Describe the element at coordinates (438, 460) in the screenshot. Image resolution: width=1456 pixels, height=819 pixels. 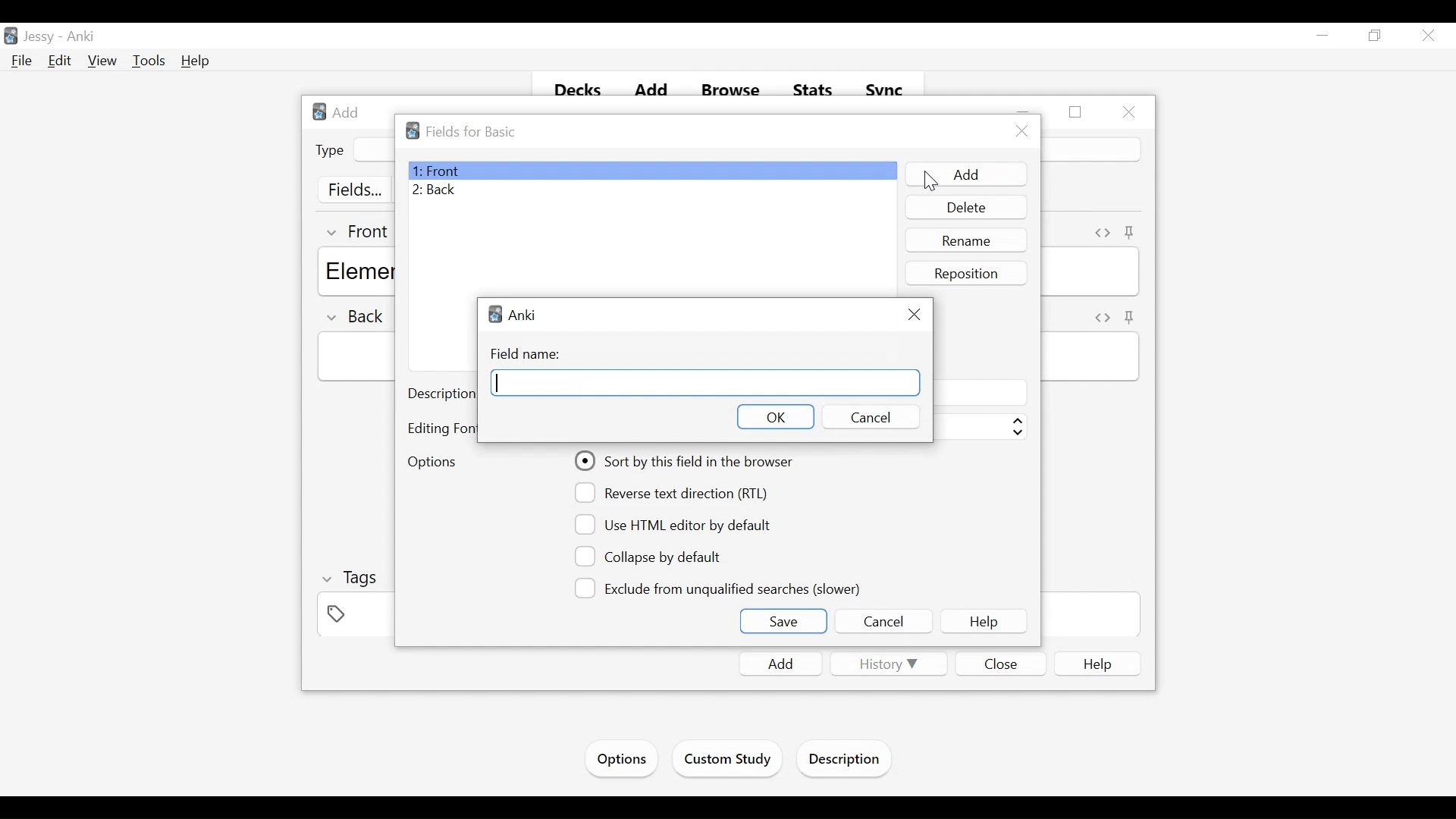
I see `Options` at that location.